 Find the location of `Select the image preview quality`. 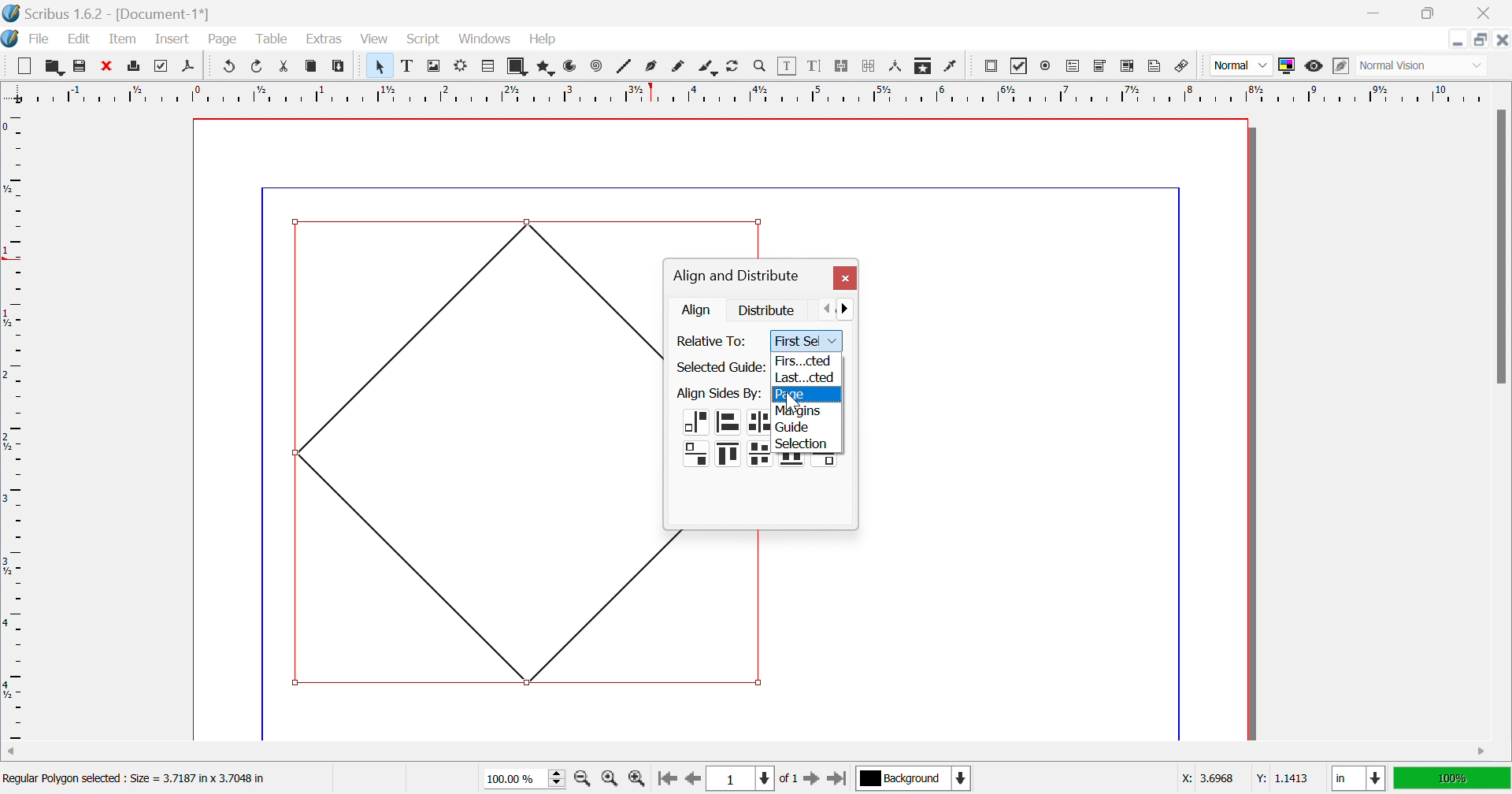

Select the image preview quality is located at coordinates (1240, 65).